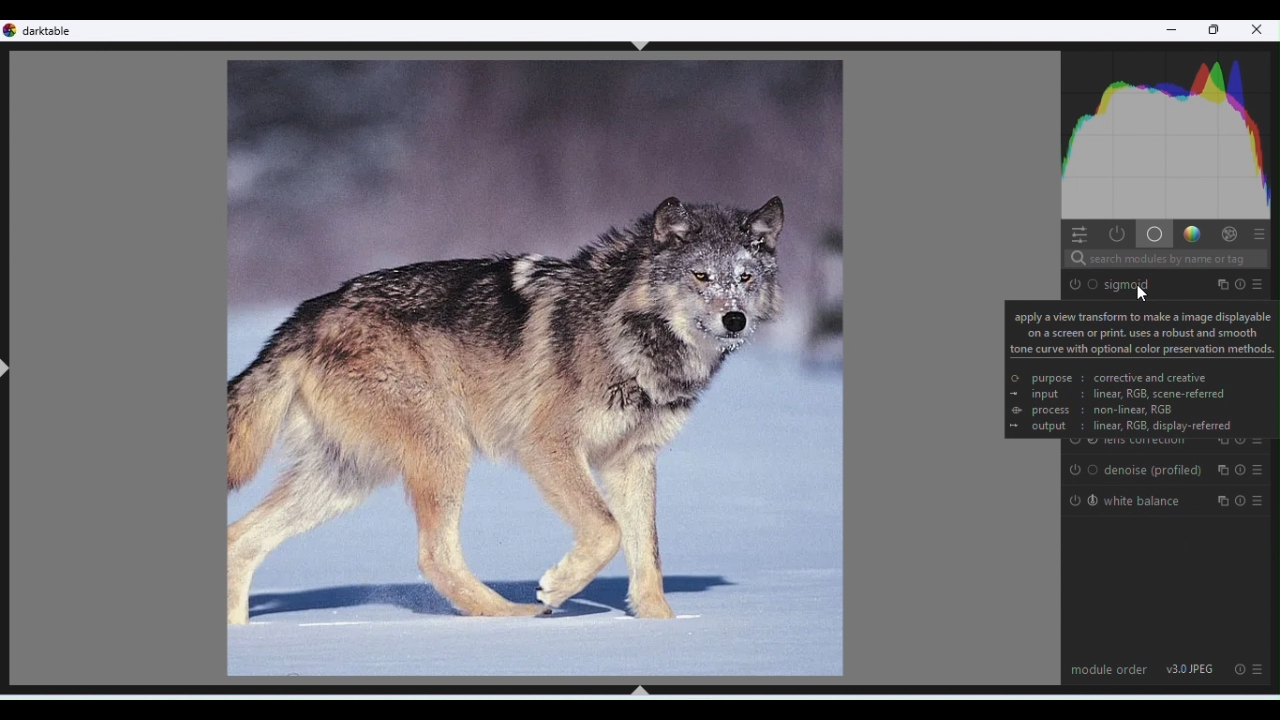  What do you see at coordinates (1168, 283) in the screenshot?
I see `Sigmoid` at bounding box center [1168, 283].